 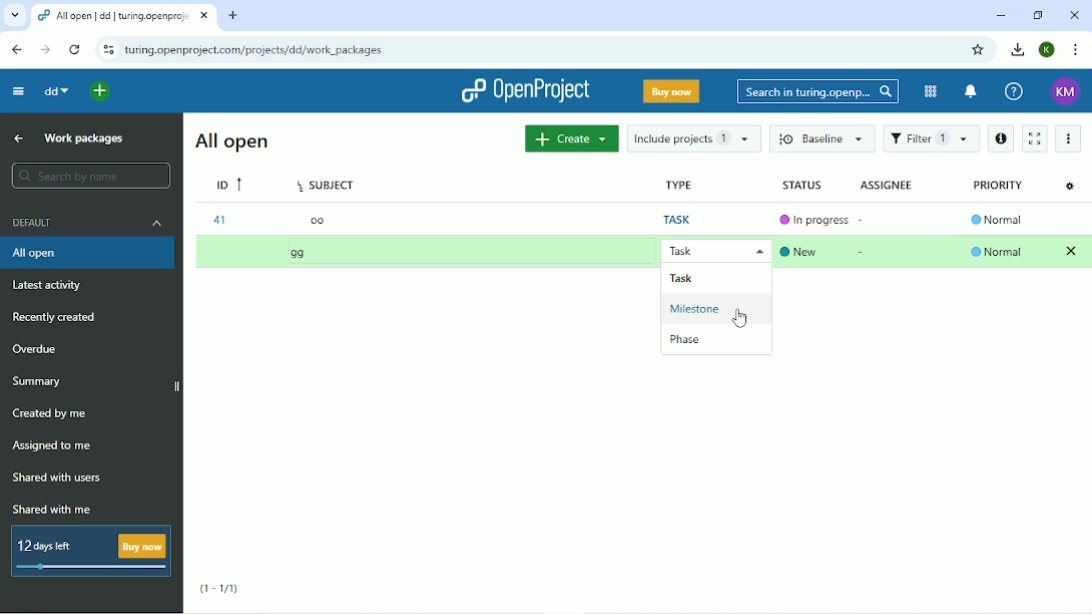 What do you see at coordinates (1035, 15) in the screenshot?
I see `Restore down` at bounding box center [1035, 15].